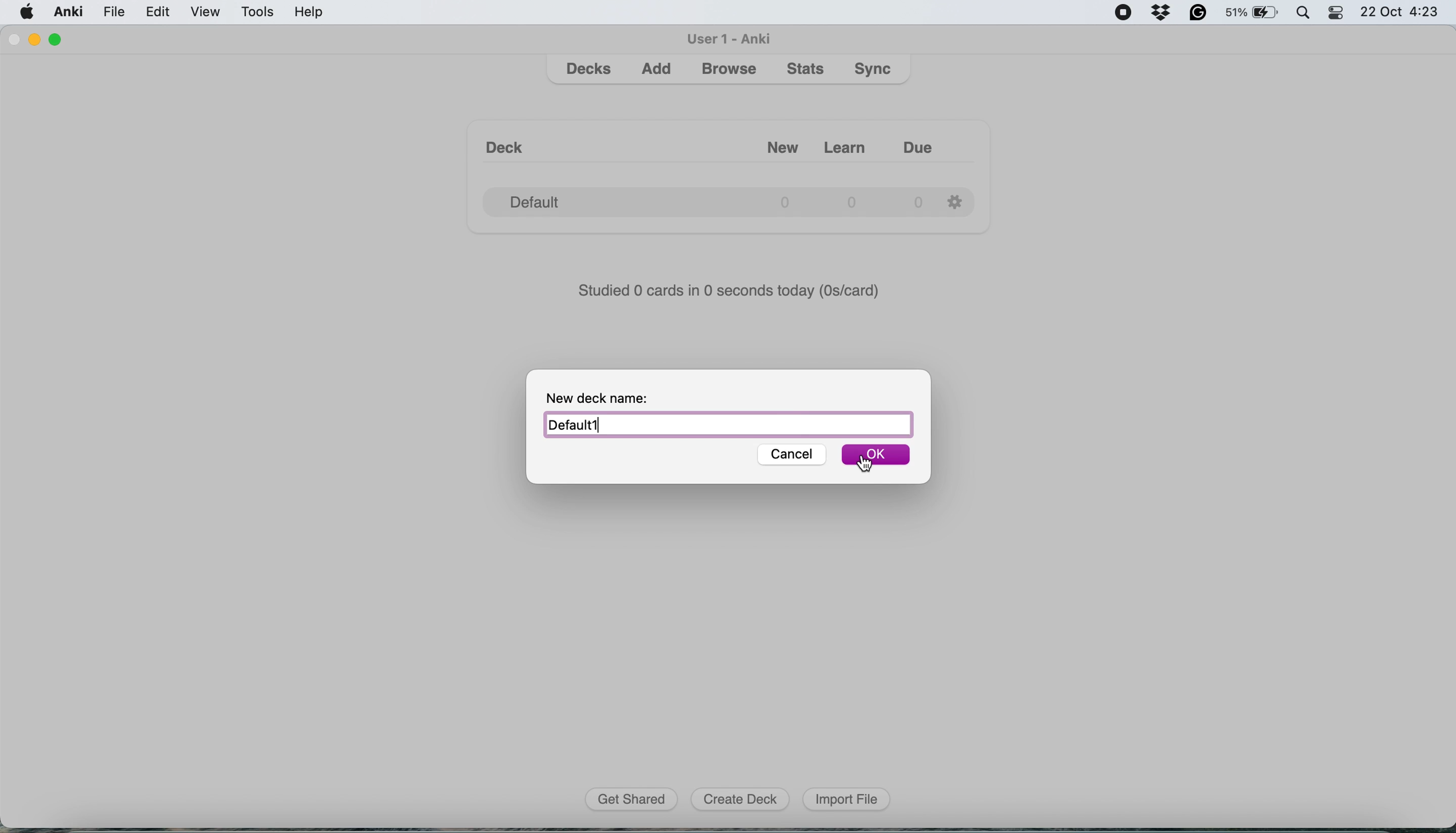  I want to click on stats, so click(807, 70).